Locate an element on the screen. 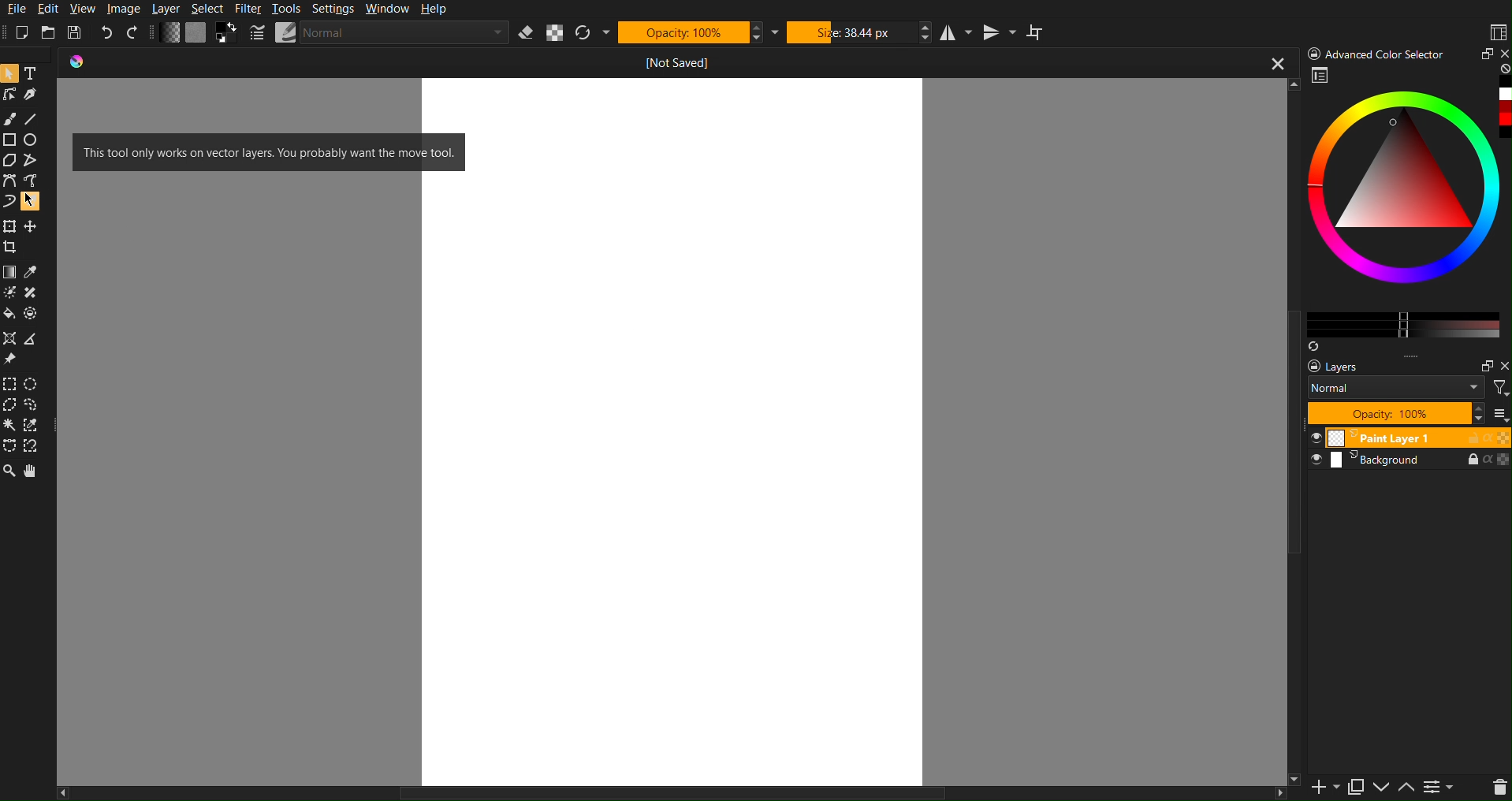 Image resolution: width=1512 pixels, height=801 pixels. Reference Images Tool is located at coordinates (11, 360).